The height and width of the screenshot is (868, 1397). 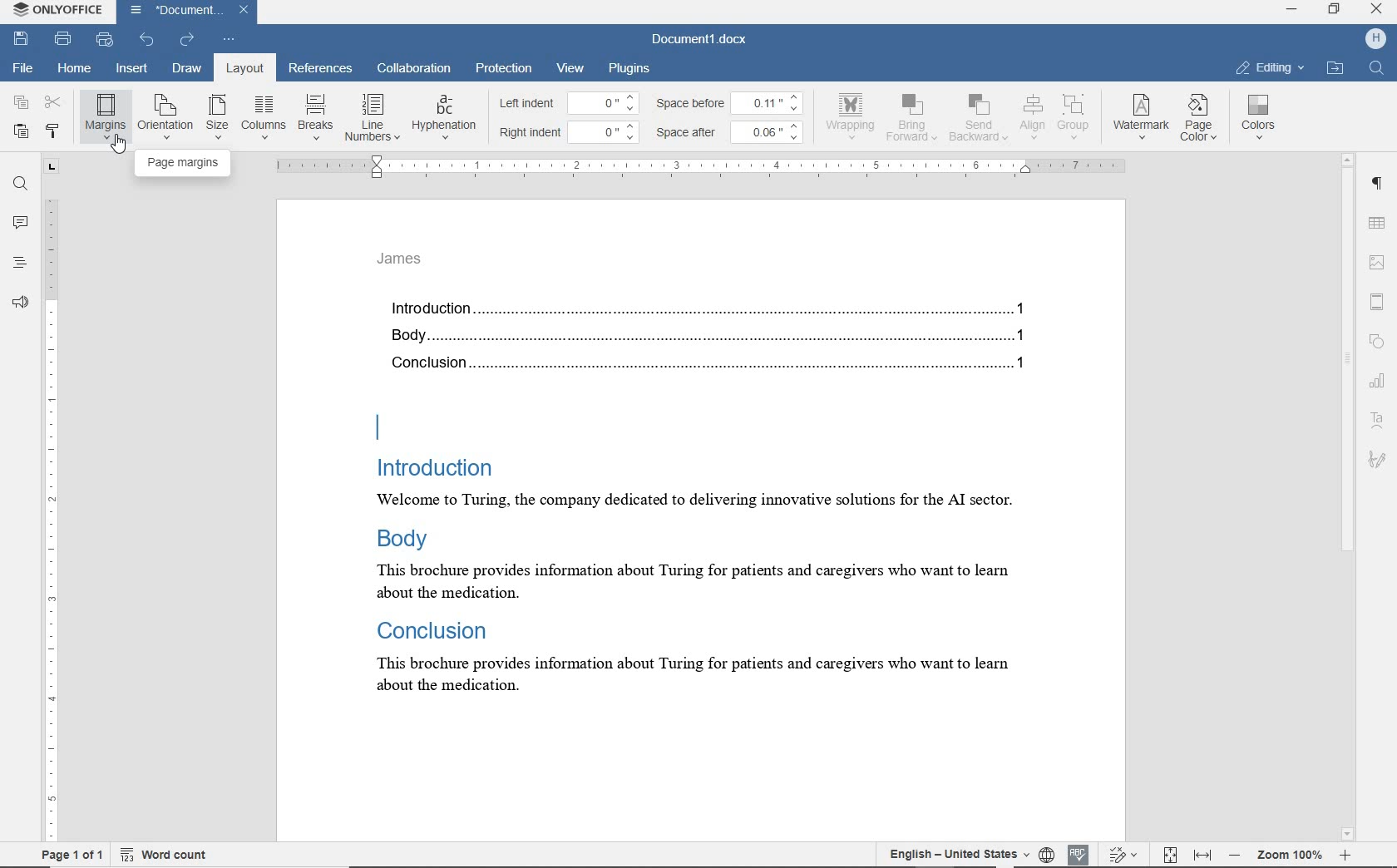 What do you see at coordinates (313, 117) in the screenshot?
I see `breaks` at bounding box center [313, 117].